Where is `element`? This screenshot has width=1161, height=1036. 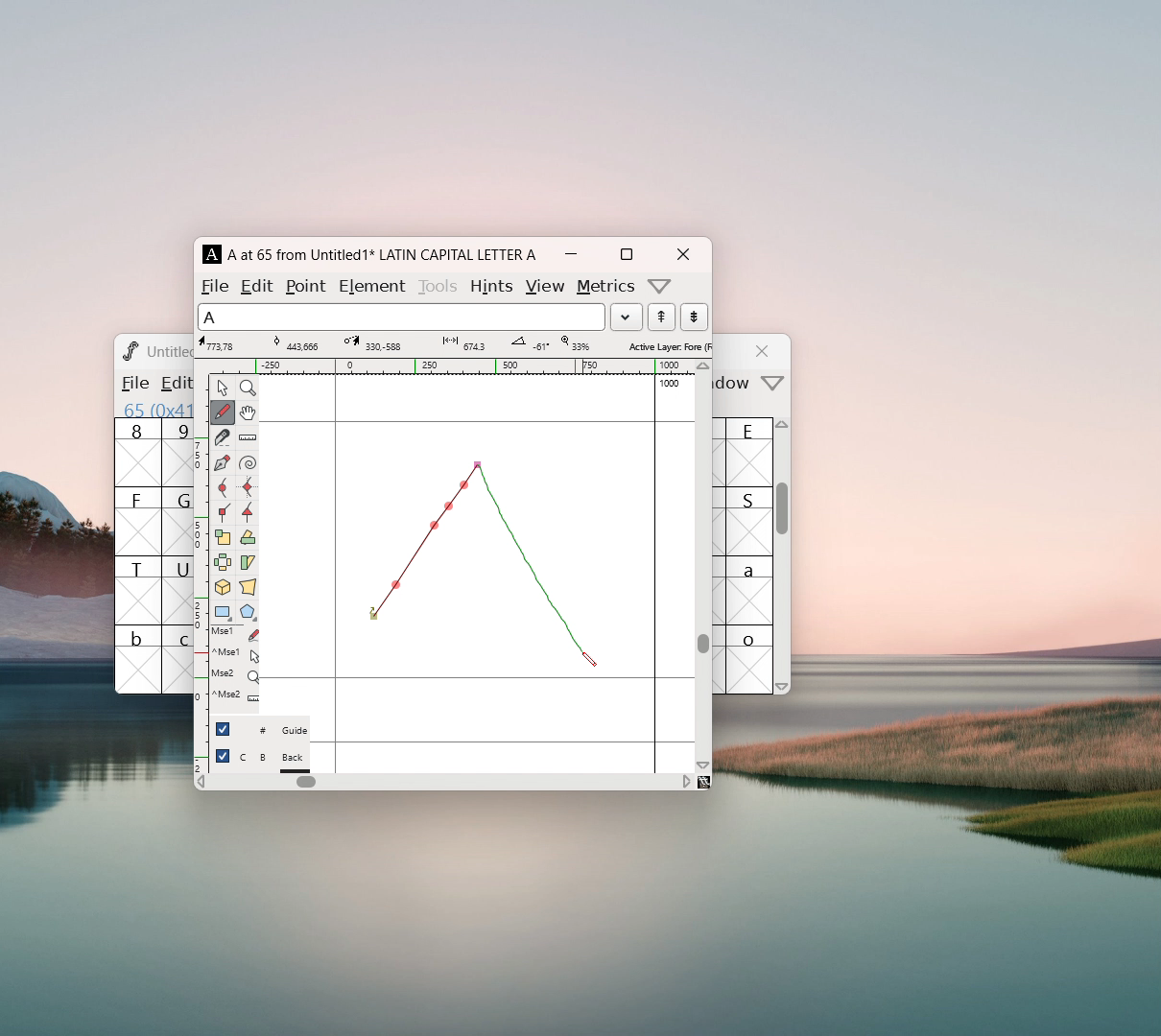 element is located at coordinates (371, 284).